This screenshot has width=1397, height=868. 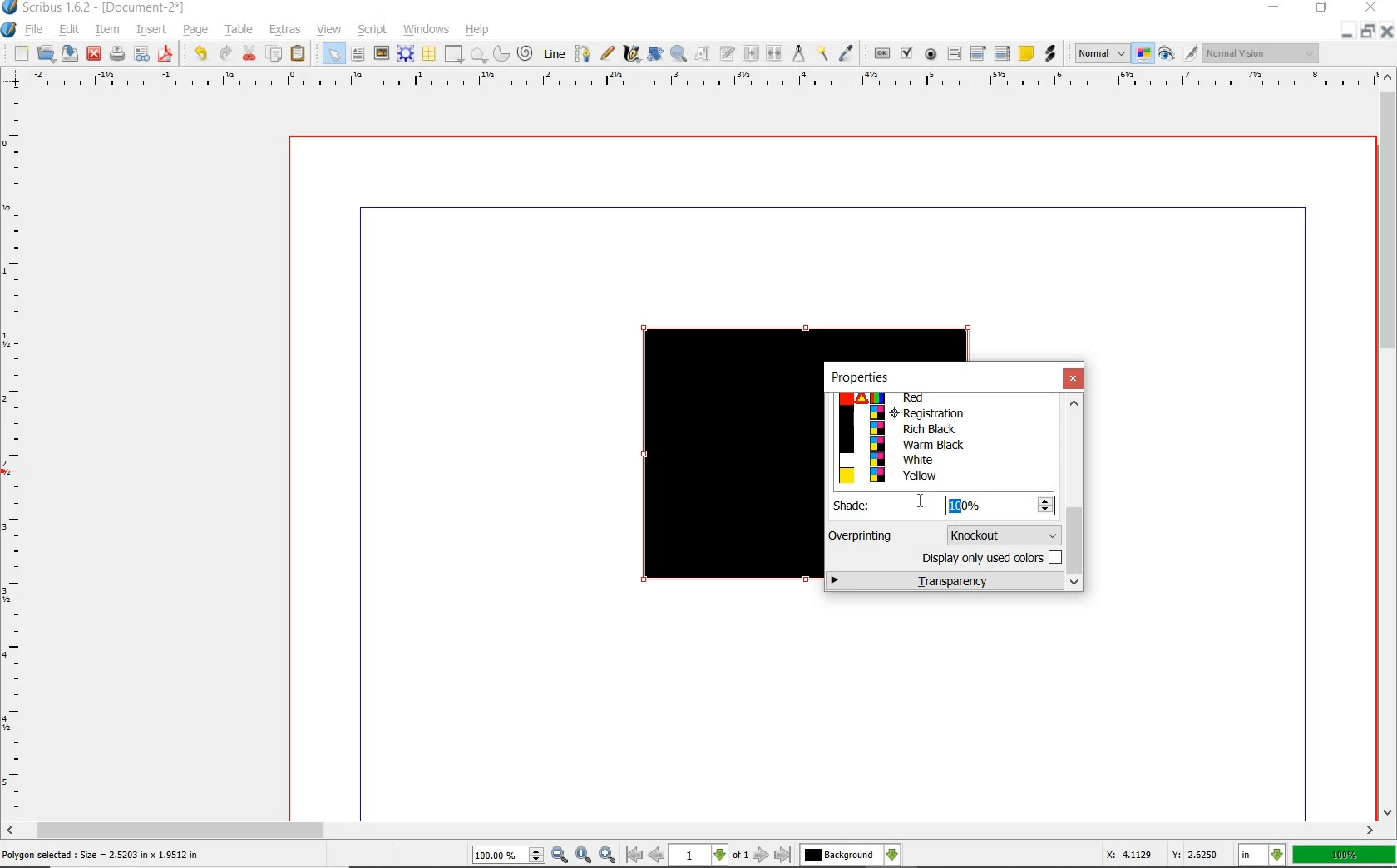 What do you see at coordinates (454, 53) in the screenshot?
I see `shape` at bounding box center [454, 53].